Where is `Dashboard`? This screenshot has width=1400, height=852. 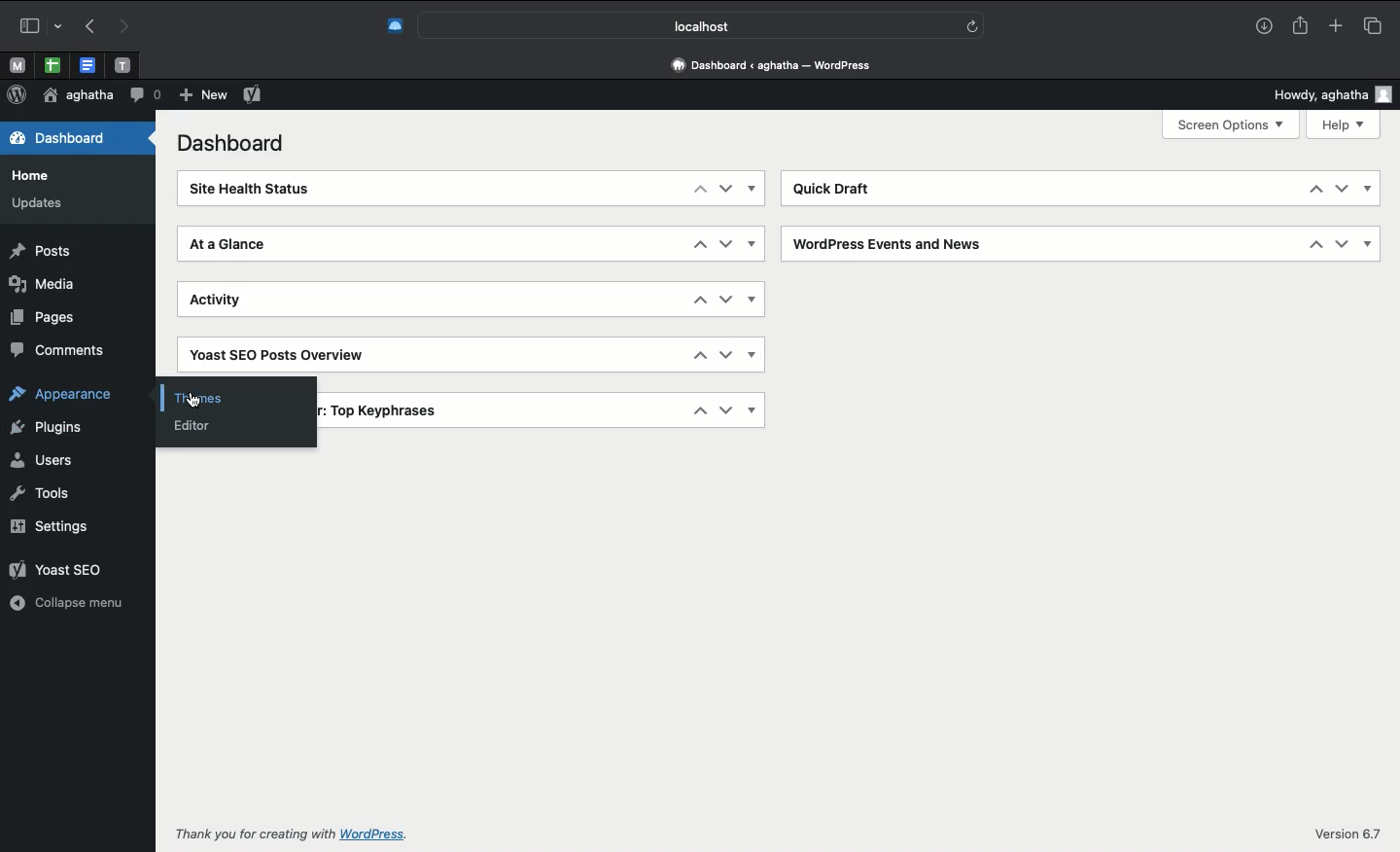 Dashboard is located at coordinates (227, 144).